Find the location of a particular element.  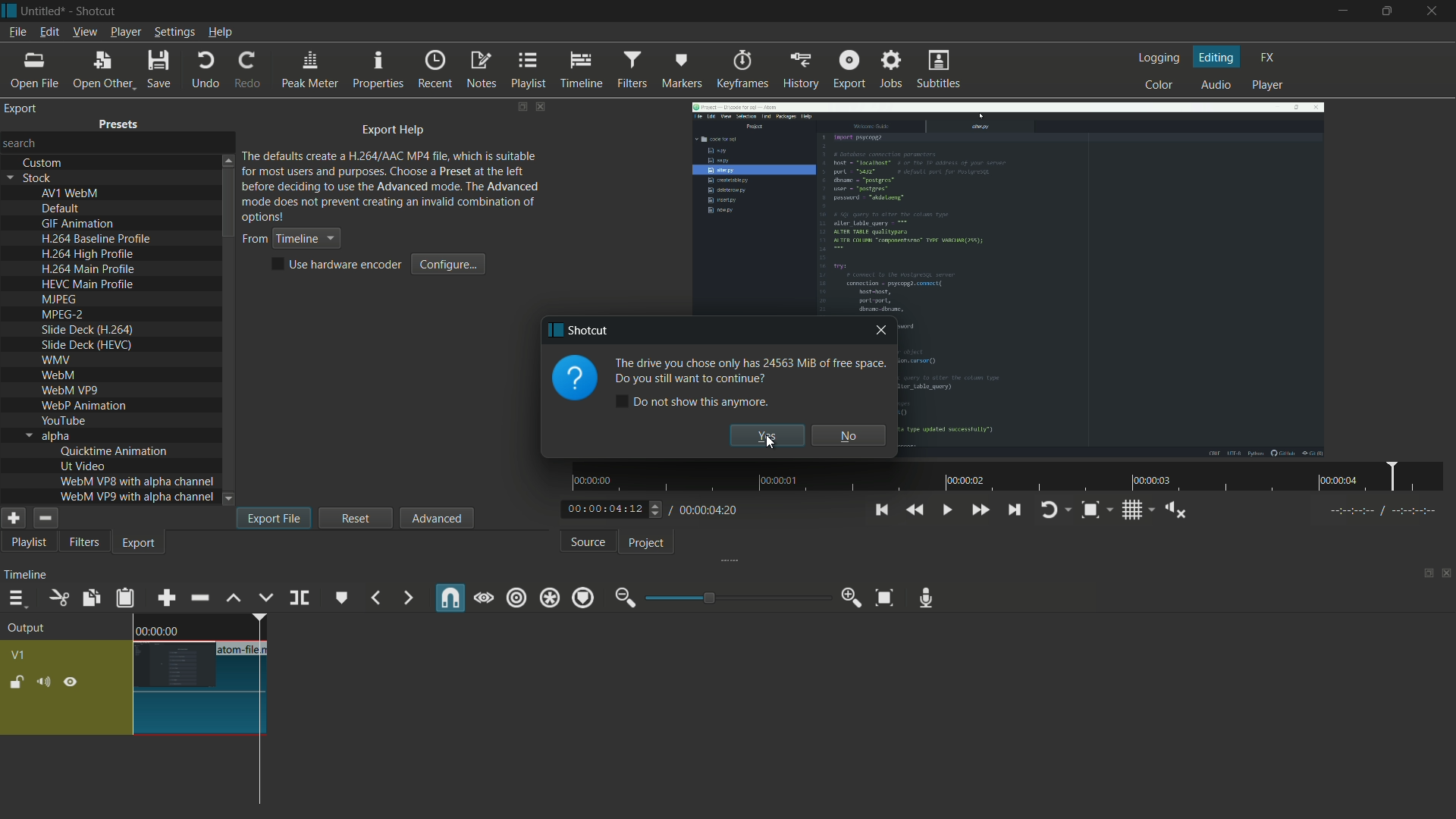

do not show this anymore is located at coordinates (695, 401).